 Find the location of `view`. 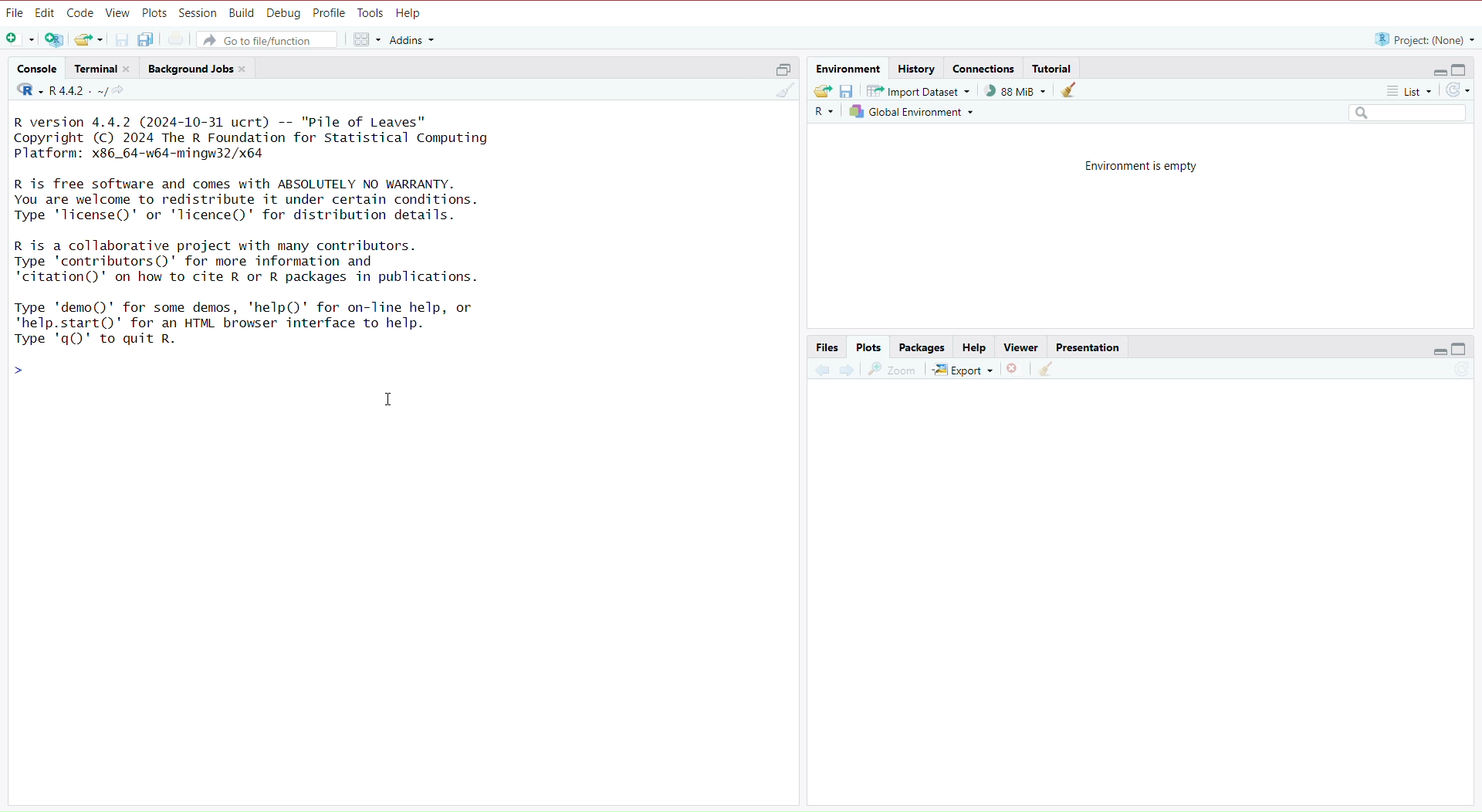

view is located at coordinates (118, 14).